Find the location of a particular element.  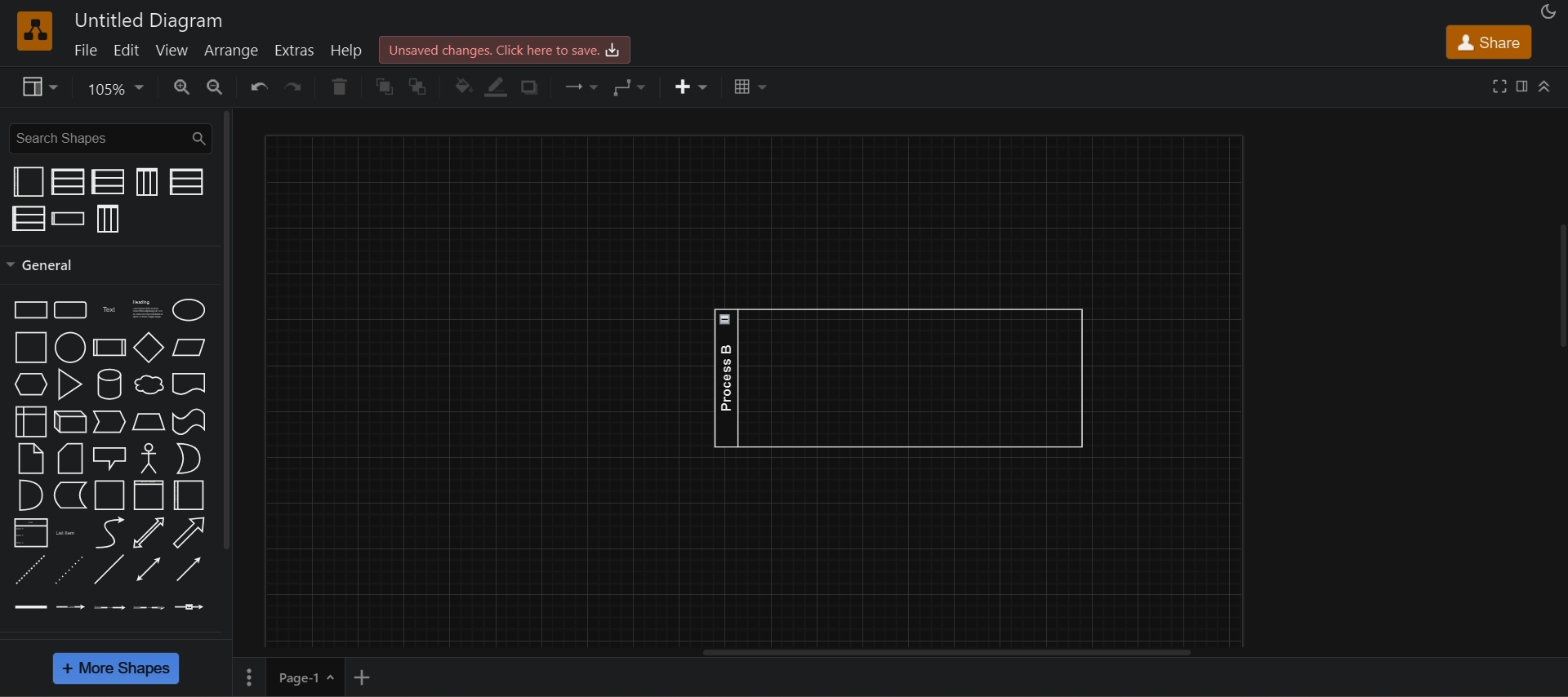

horizontal pool 2 is located at coordinates (110, 182).